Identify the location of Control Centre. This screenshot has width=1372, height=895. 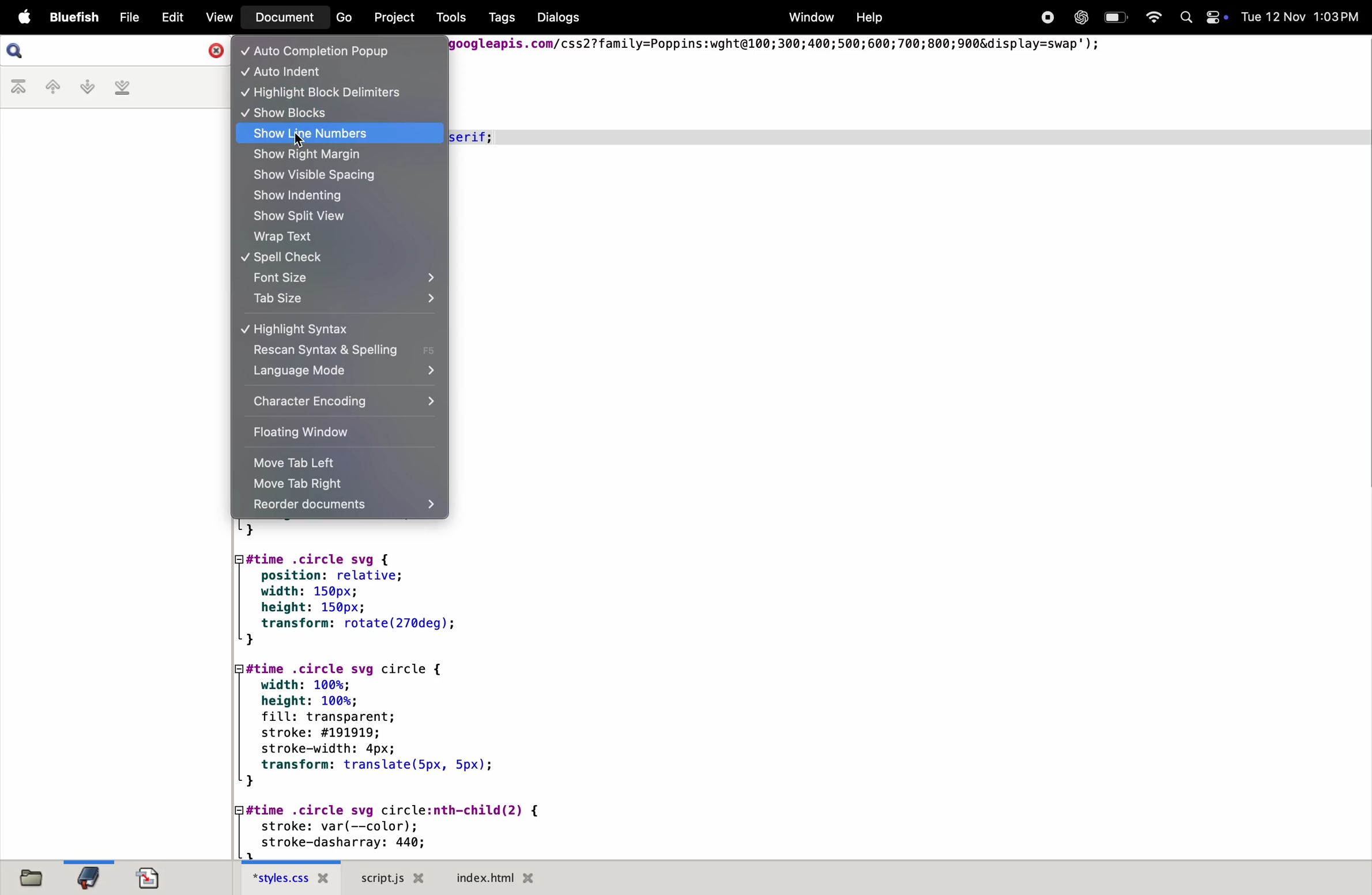
(1213, 17).